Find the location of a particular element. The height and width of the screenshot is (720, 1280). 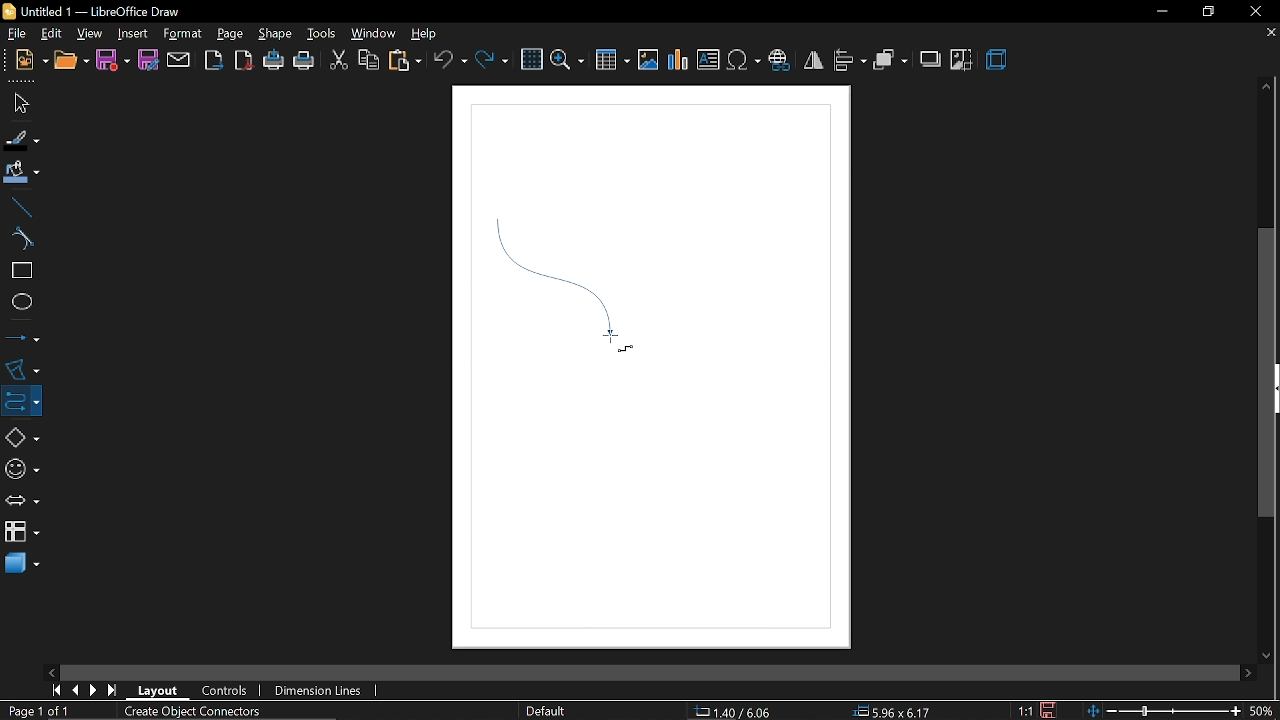

move down is located at coordinates (1269, 653).